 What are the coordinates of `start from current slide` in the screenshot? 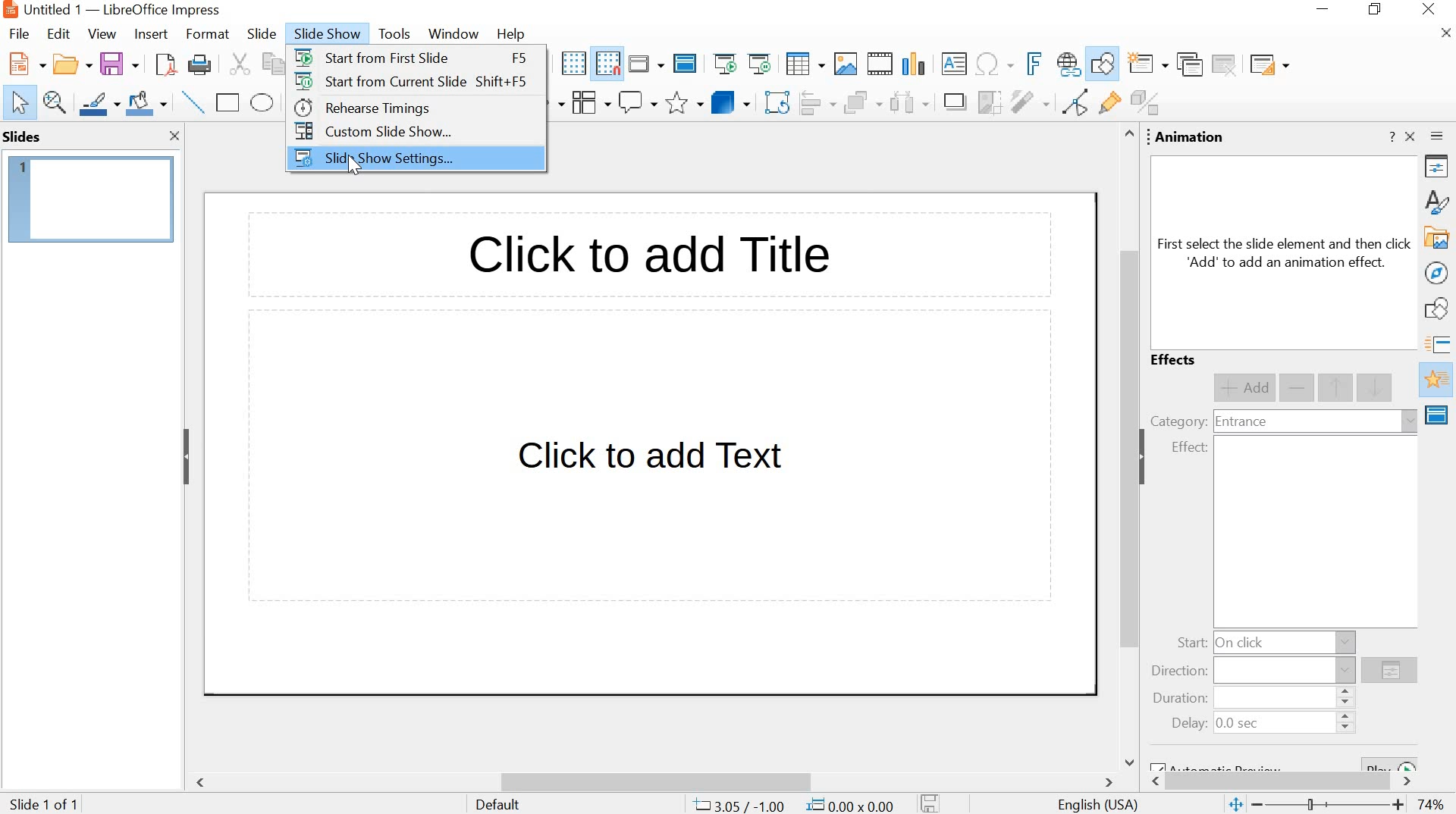 It's located at (380, 81).